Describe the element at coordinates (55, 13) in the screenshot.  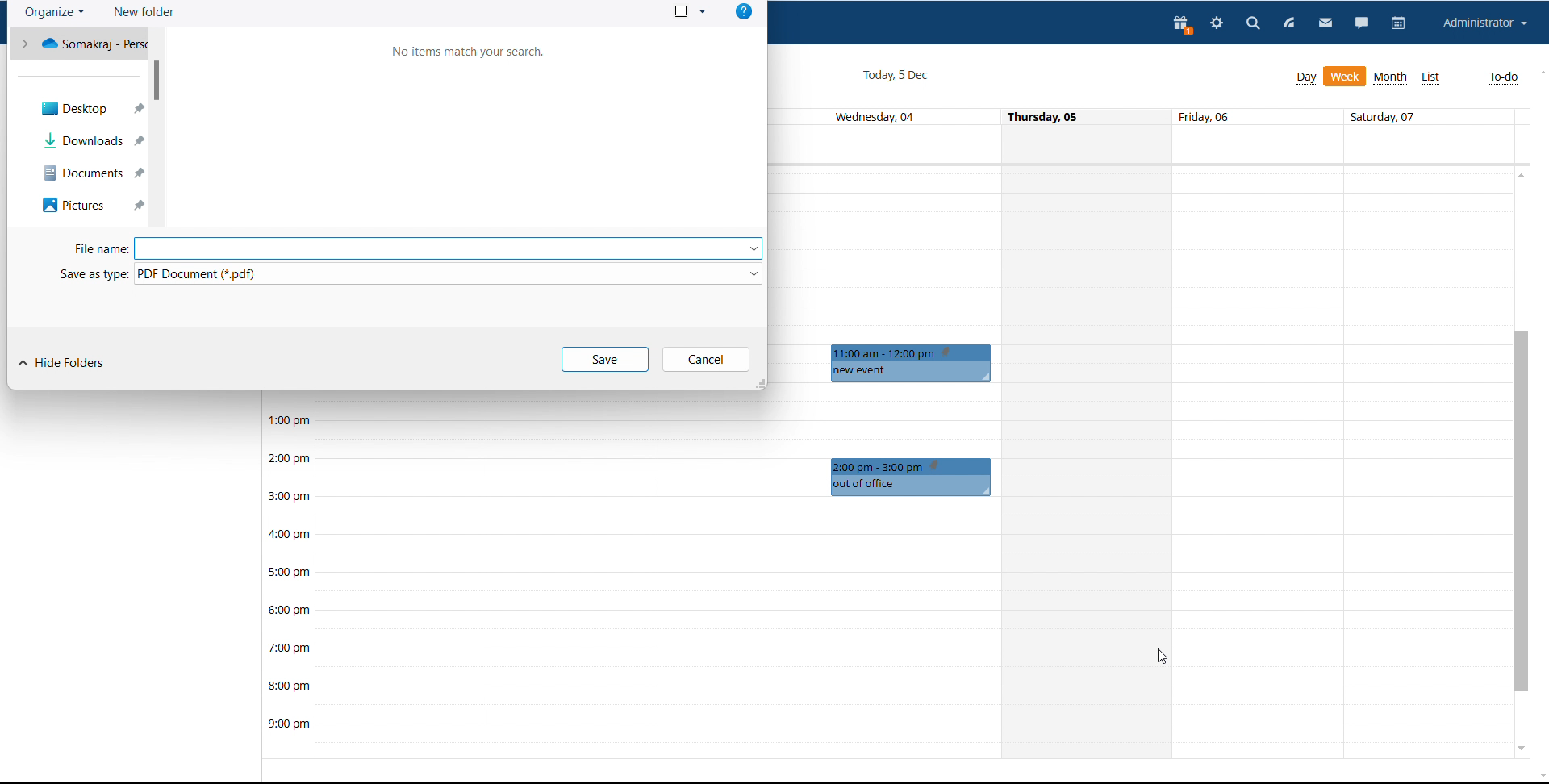
I see `organize` at that location.